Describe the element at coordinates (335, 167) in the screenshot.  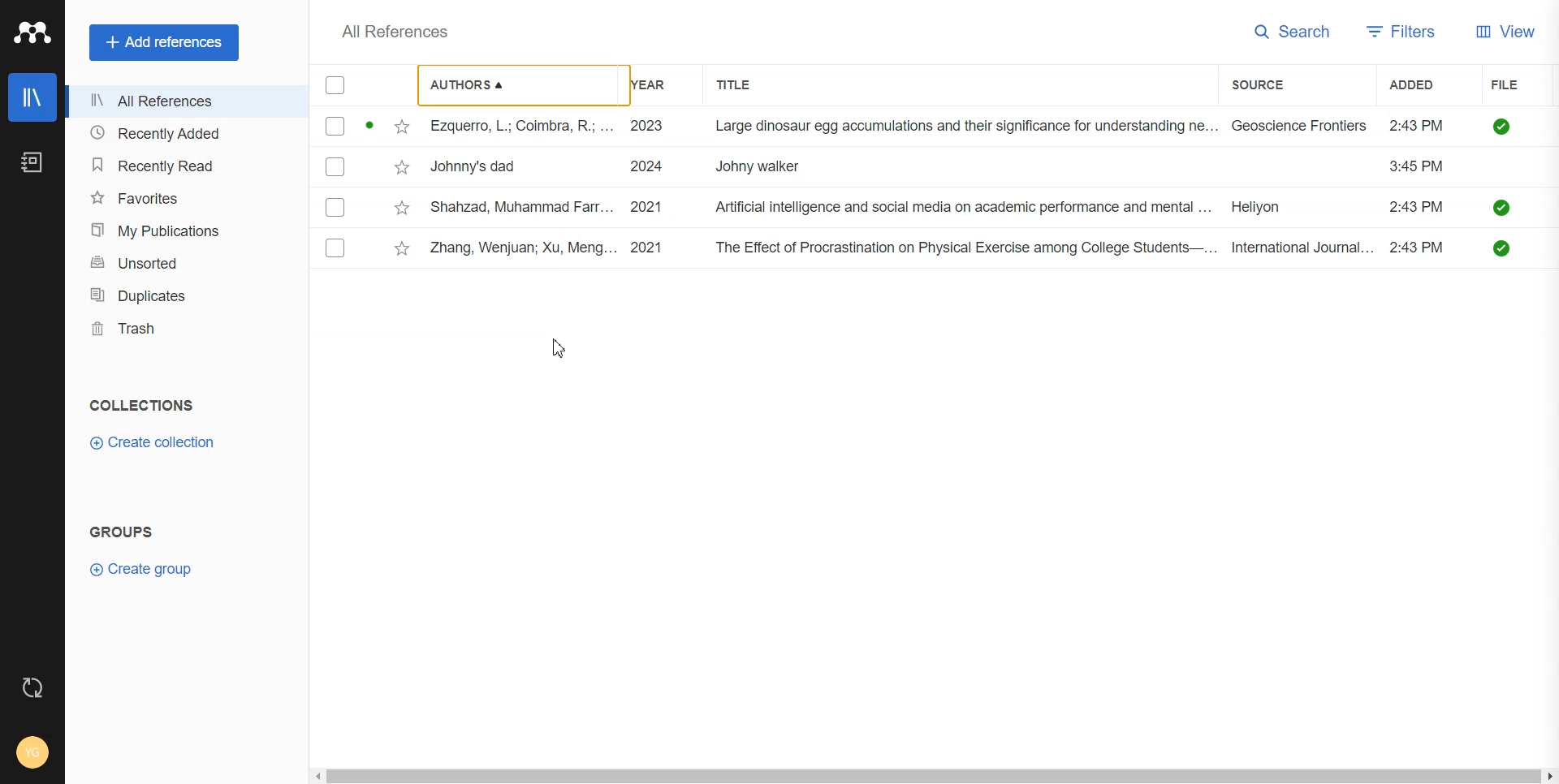
I see `(un)select` at that location.